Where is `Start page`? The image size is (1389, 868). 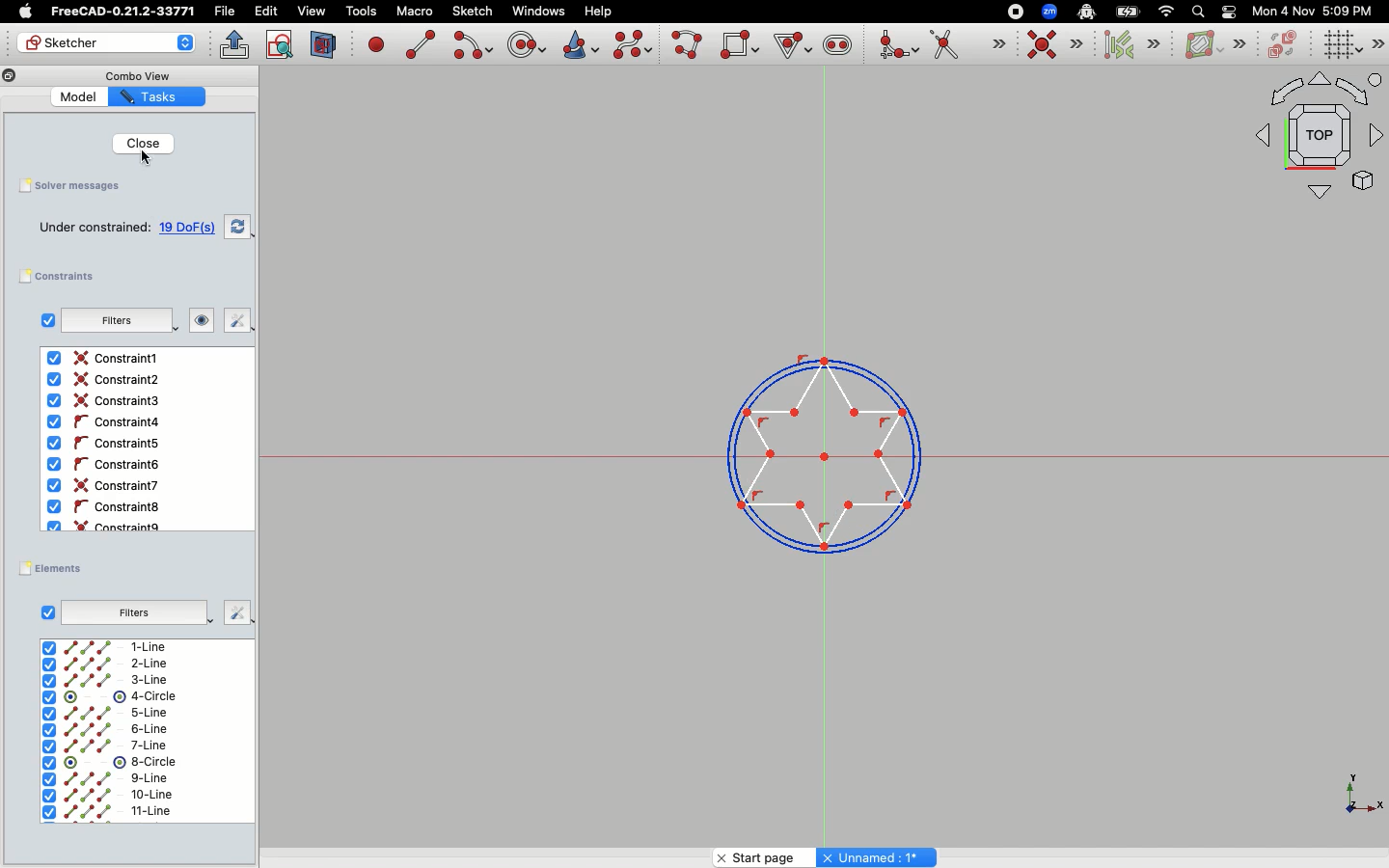
Start page is located at coordinates (760, 854).